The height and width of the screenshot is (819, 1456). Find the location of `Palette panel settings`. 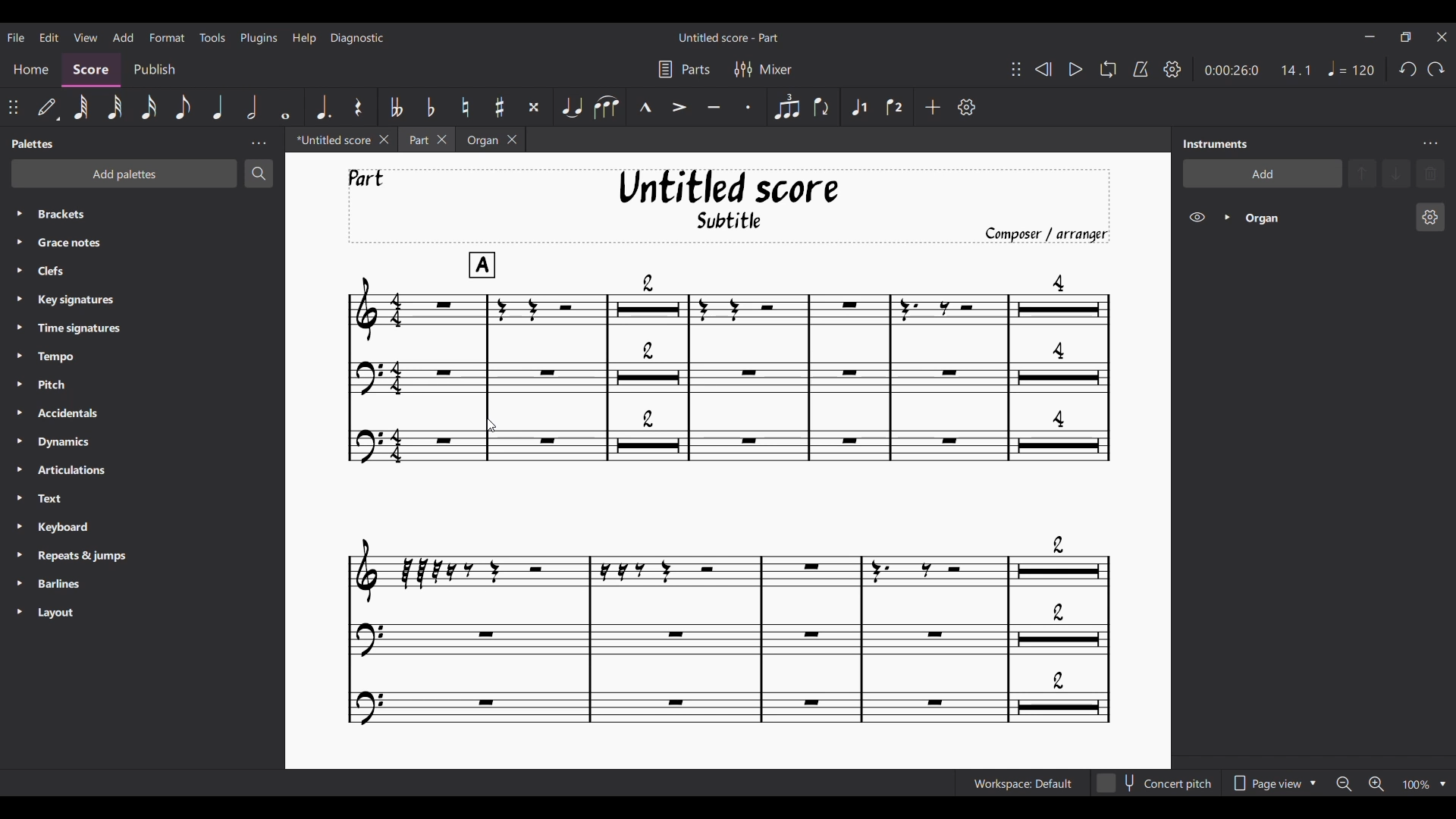

Palette panel settings is located at coordinates (259, 143).